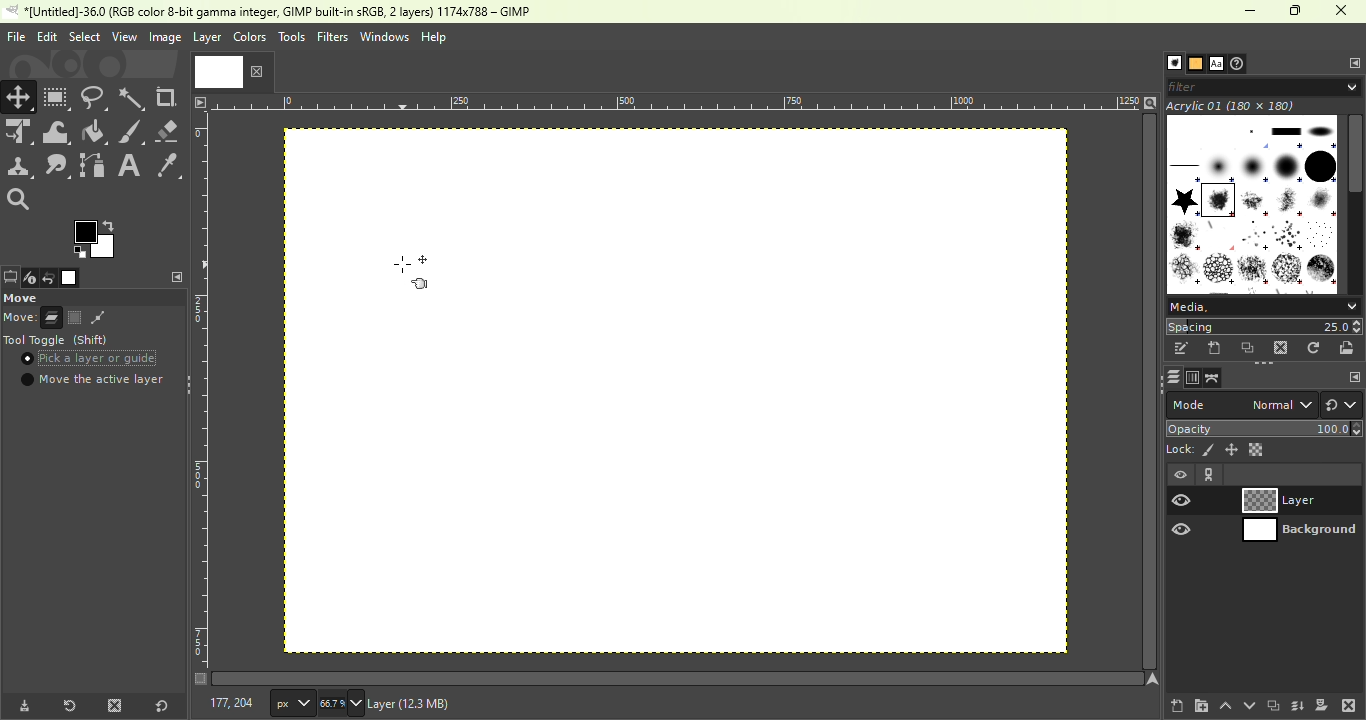 The width and height of the screenshot is (1366, 720). Describe the element at coordinates (67, 706) in the screenshot. I see `Restore tool preset` at that location.